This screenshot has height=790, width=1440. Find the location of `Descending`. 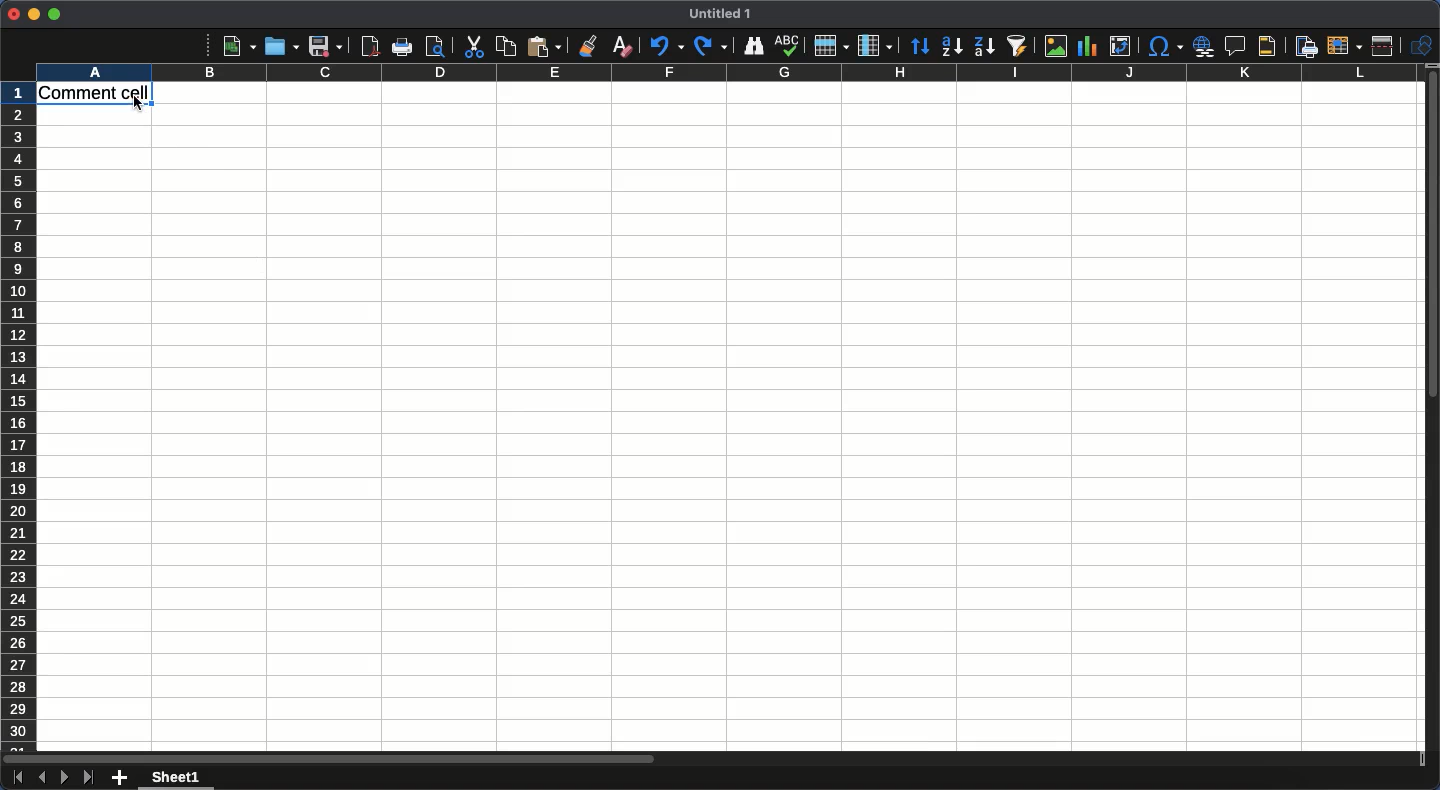

Descending is located at coordinates (982, 45).